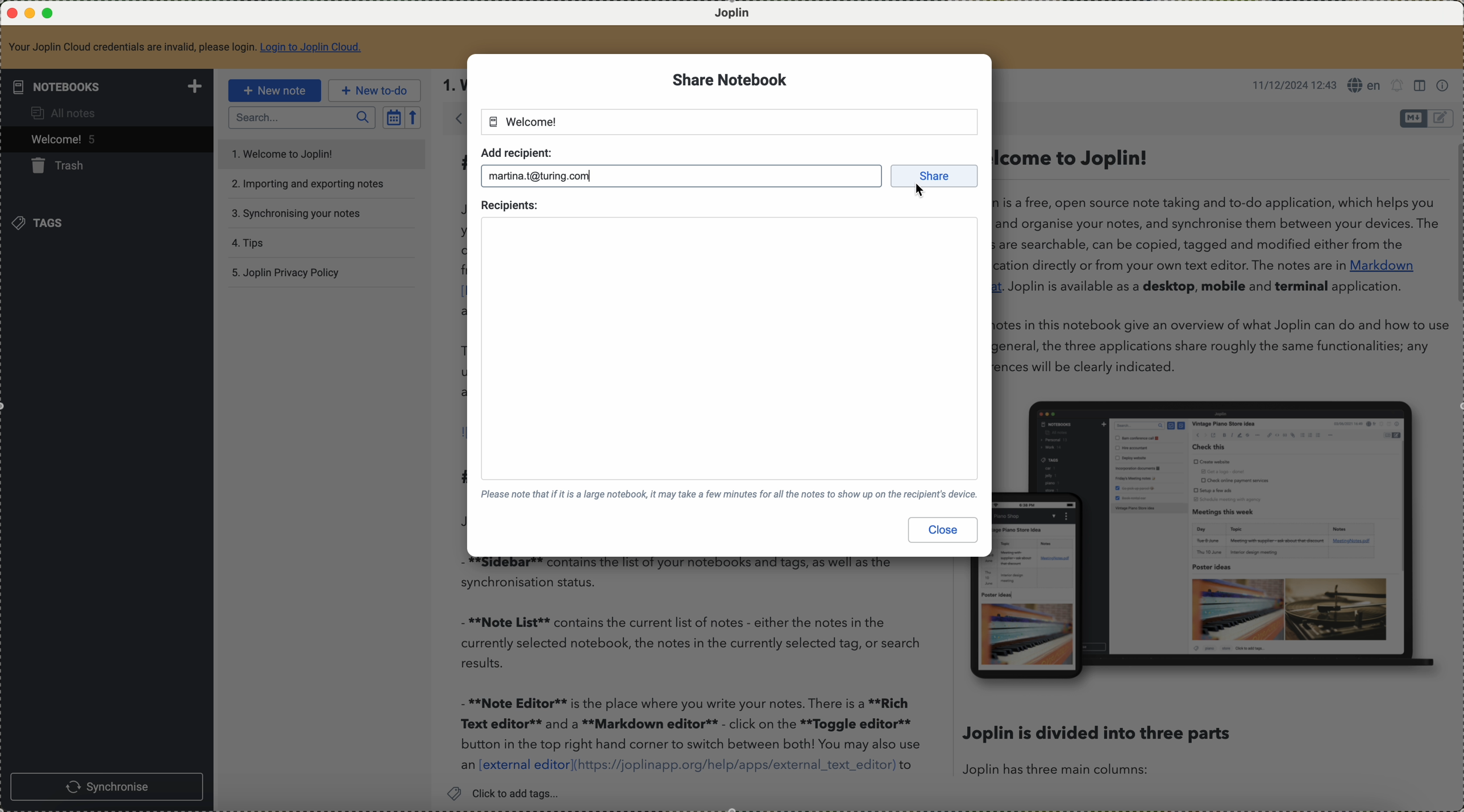 The image size is (1464, 812). Describe the element at coordinates (1216, 261) in the screenshot. I see `.
Welcome to Joplin!
Joplin is a free, open source note taking and to-do application, which helps you
write and organise your notes, and synchronise them between your devices. The
notes are searchable, can be copied, tagged and modified either from the
application directly or from your own text editor. The notes are in Markdown
format. Joplin is available as a desktop, mobile and terminal application.
The notes in this notebook give an overview of what Joplin can do and how to us
it. In general, the three applications share roughly the same functionalities; any
differences will be clearly indicated.` at that location.